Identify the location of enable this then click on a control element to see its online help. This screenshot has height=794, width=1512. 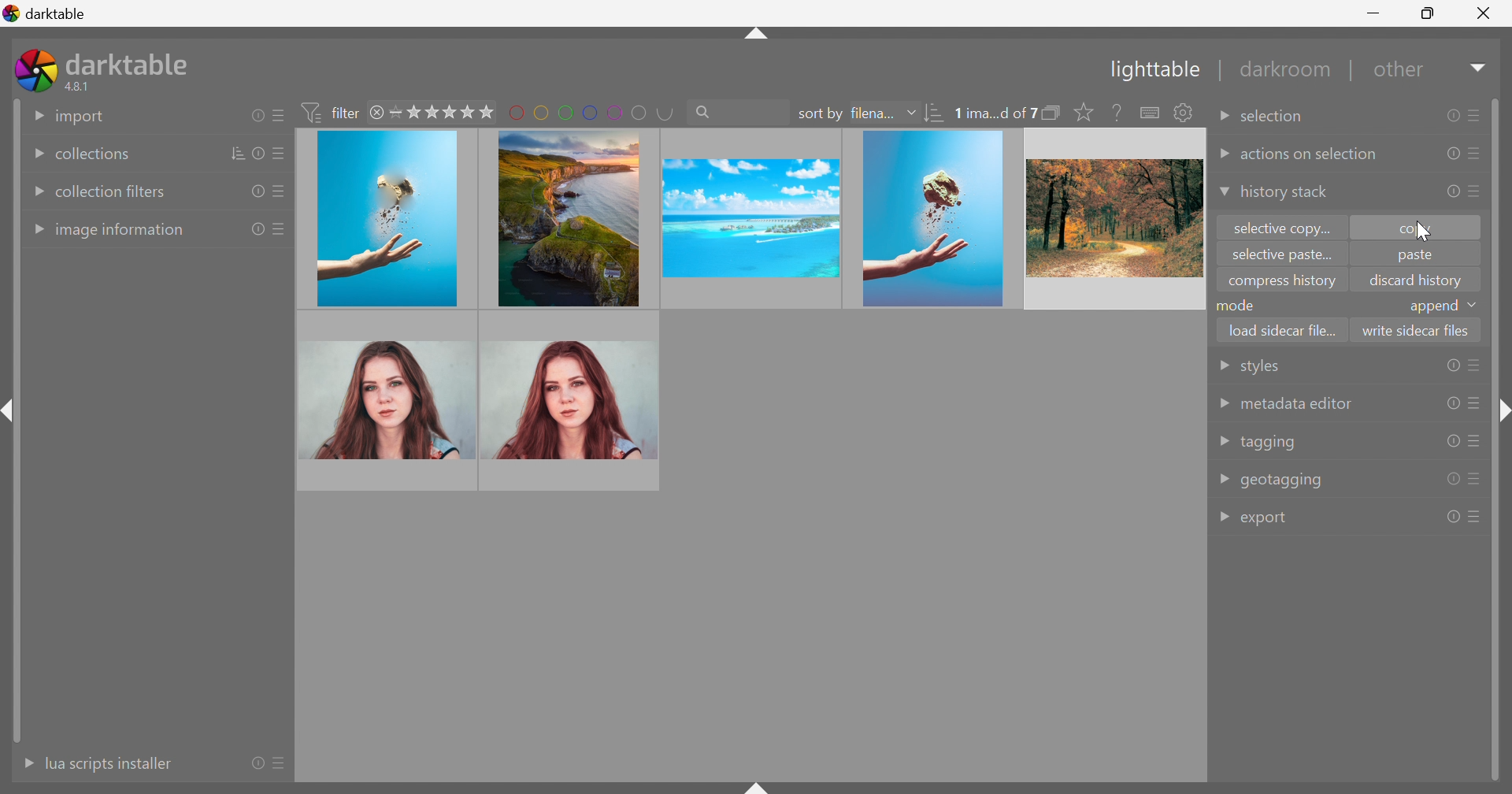
(1117, 112).